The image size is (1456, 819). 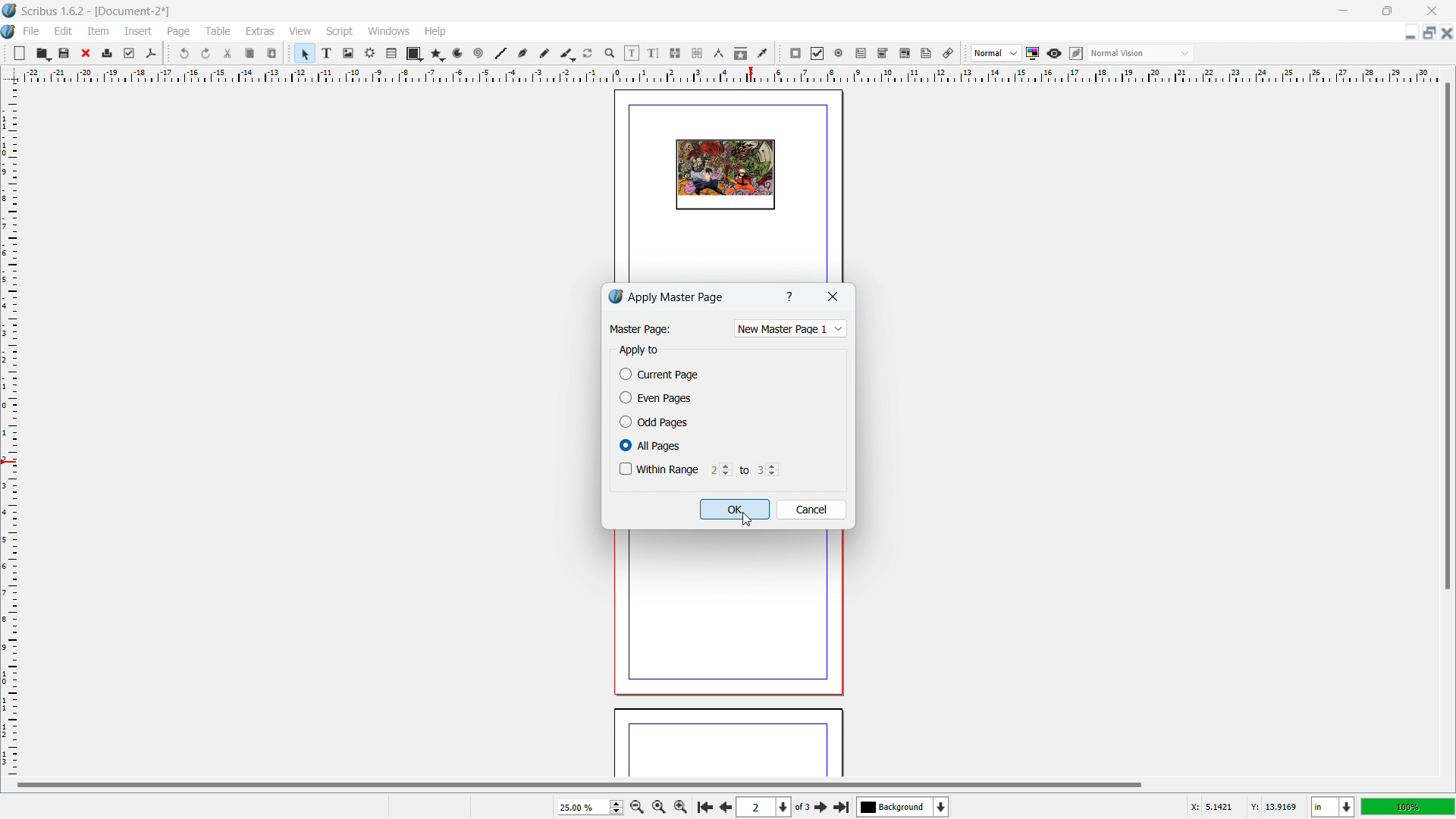 I want to click on table, so click(x=218, y=31).